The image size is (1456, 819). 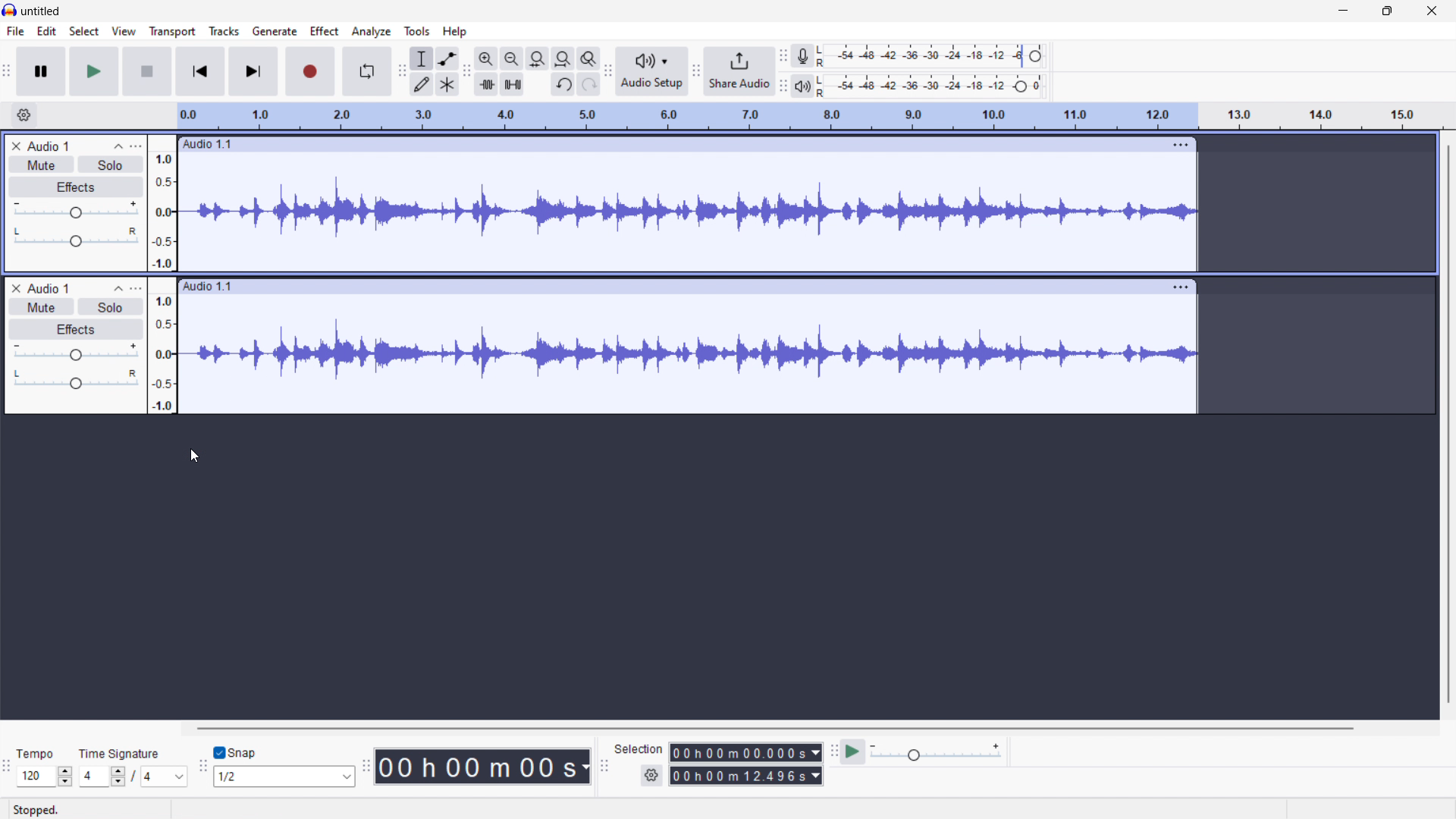 I want to click on draw tool, so click(x=422, y=83).